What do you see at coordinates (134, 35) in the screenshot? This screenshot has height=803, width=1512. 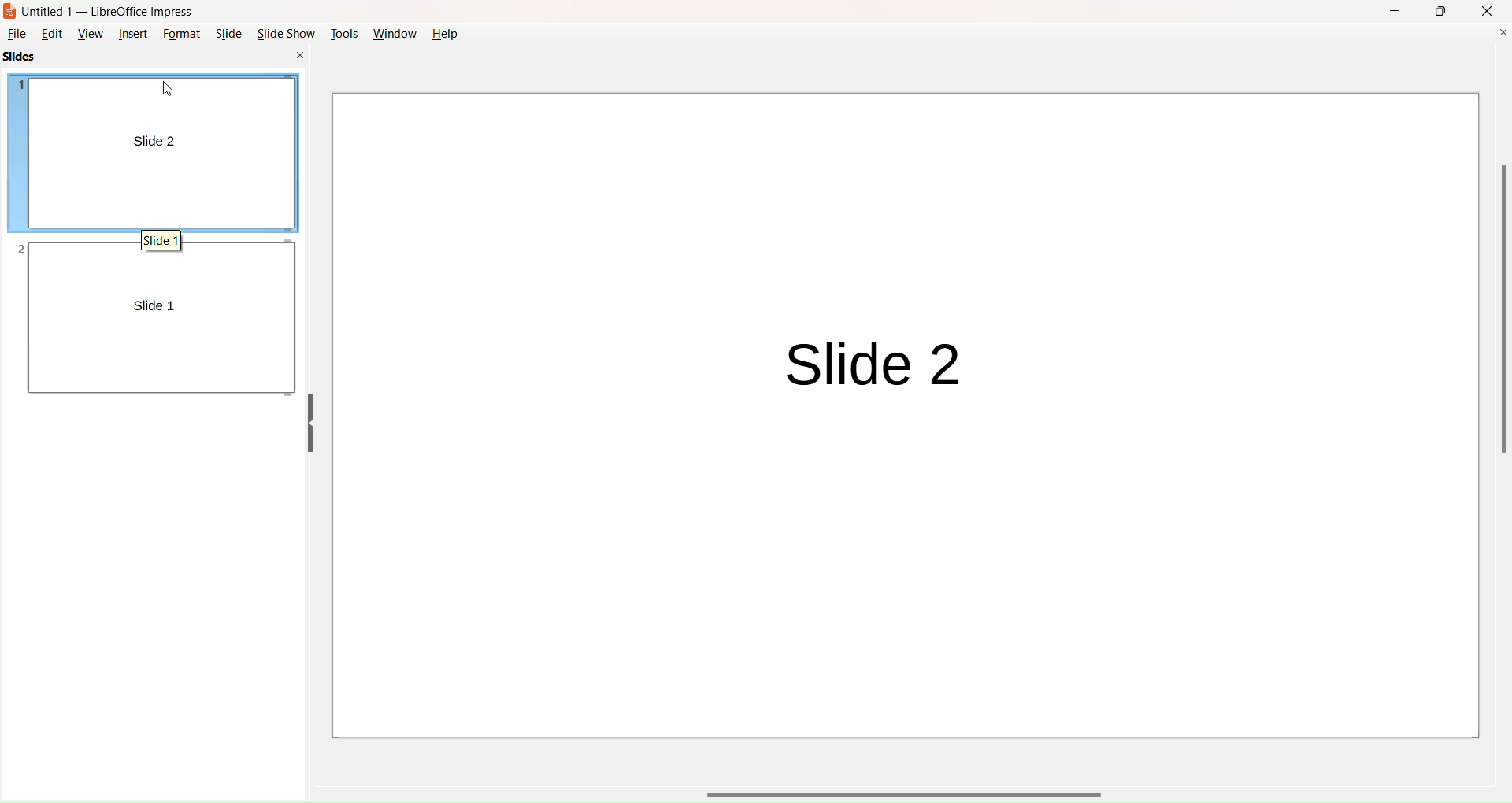 I see `insert` at bounding box center [134, 35].